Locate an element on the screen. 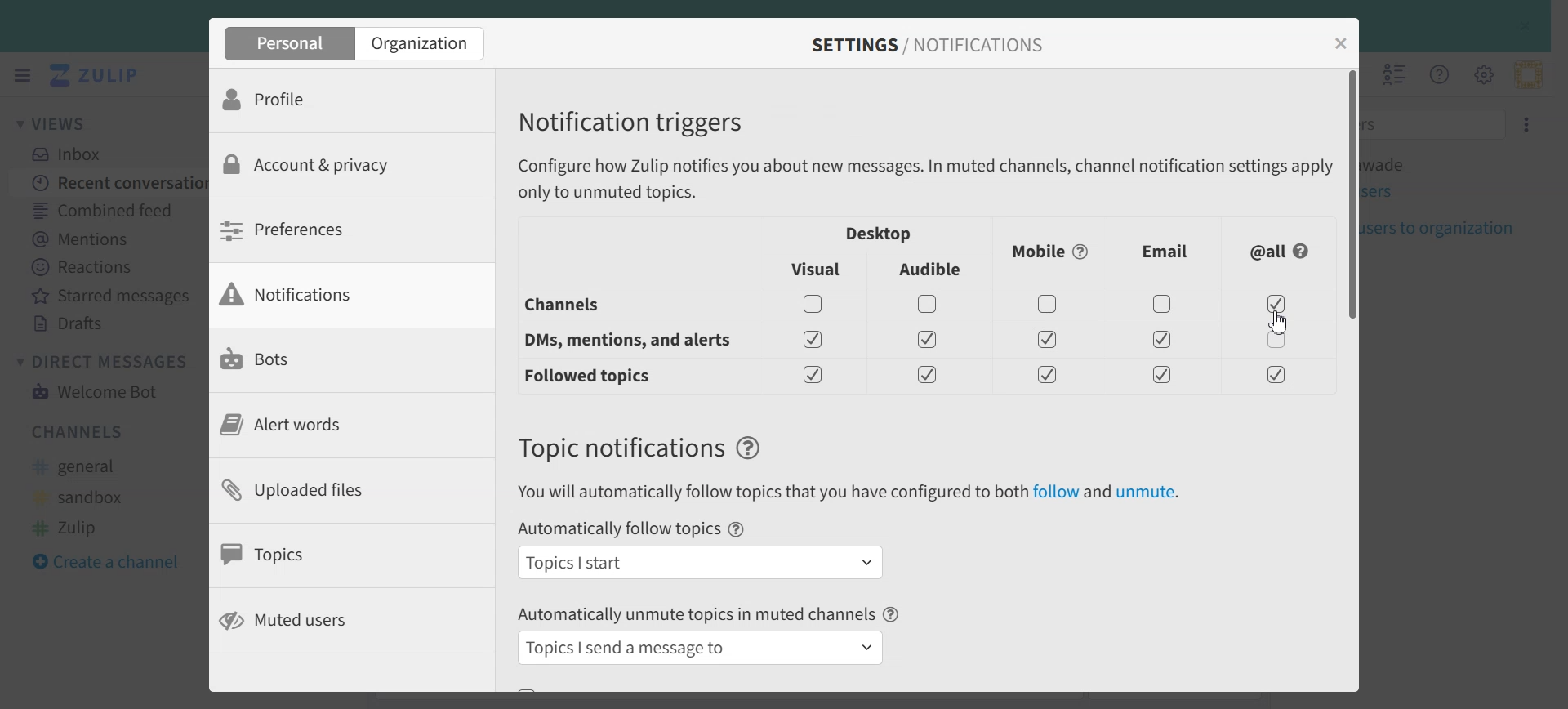 This screenshot has width=1568, height=709. Help is located at coordinates (892, 614).